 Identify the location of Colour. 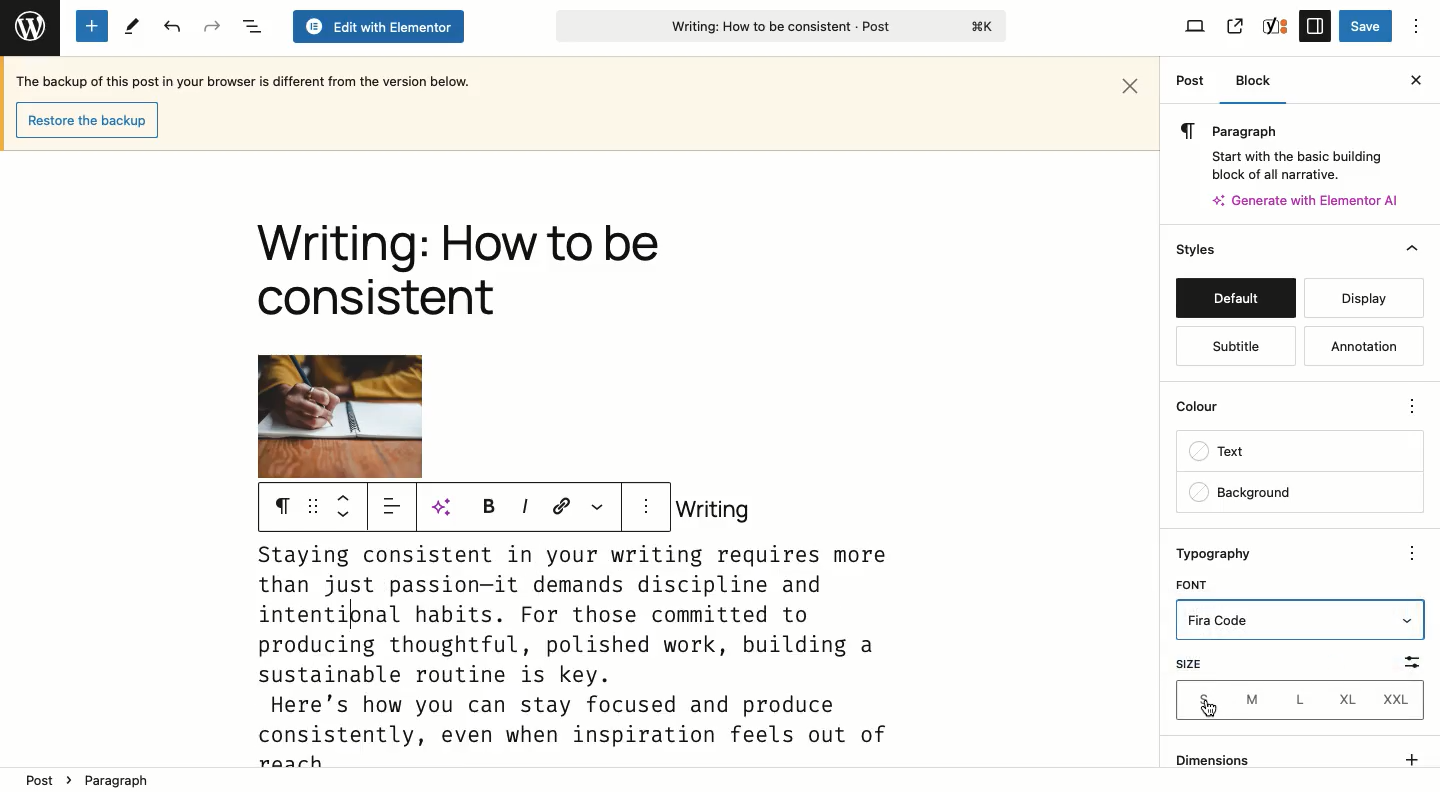
(1283, 404).